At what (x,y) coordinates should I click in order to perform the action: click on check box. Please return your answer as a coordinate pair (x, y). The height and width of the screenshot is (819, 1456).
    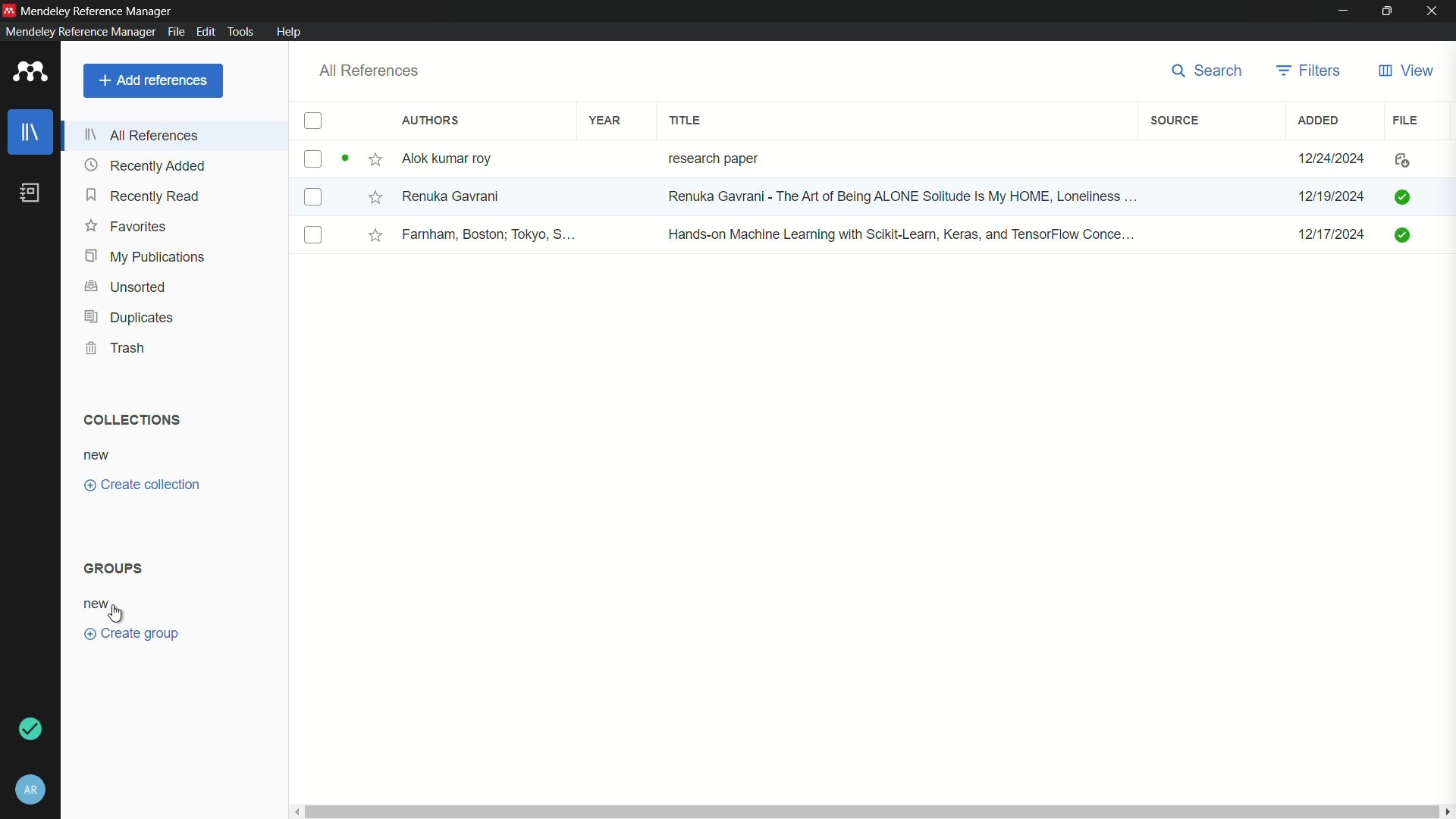
    Looking at the image, I should click on (313, 122).